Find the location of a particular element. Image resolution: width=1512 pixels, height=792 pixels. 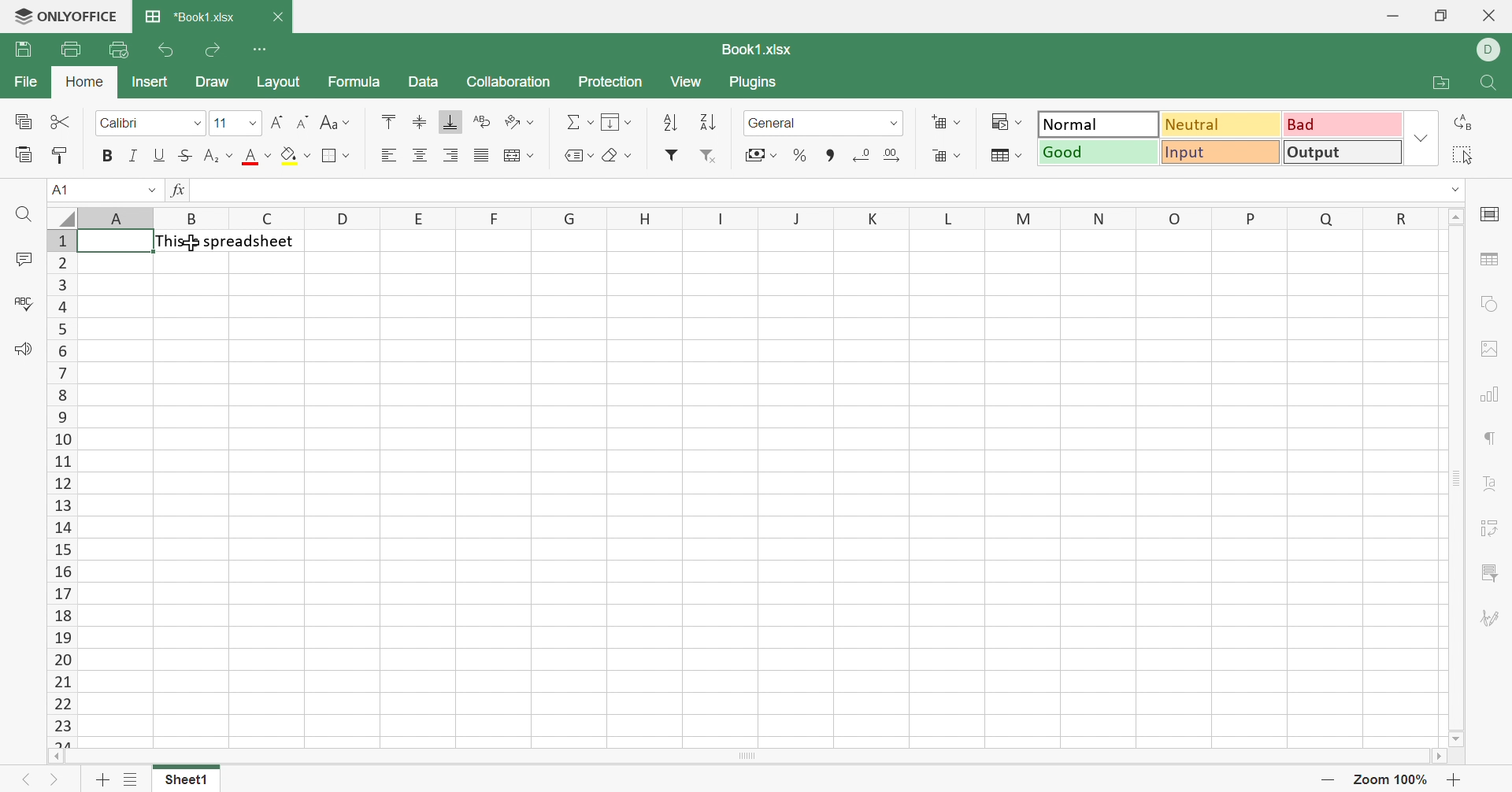

Drop Down is located at coordinates (775, 155).